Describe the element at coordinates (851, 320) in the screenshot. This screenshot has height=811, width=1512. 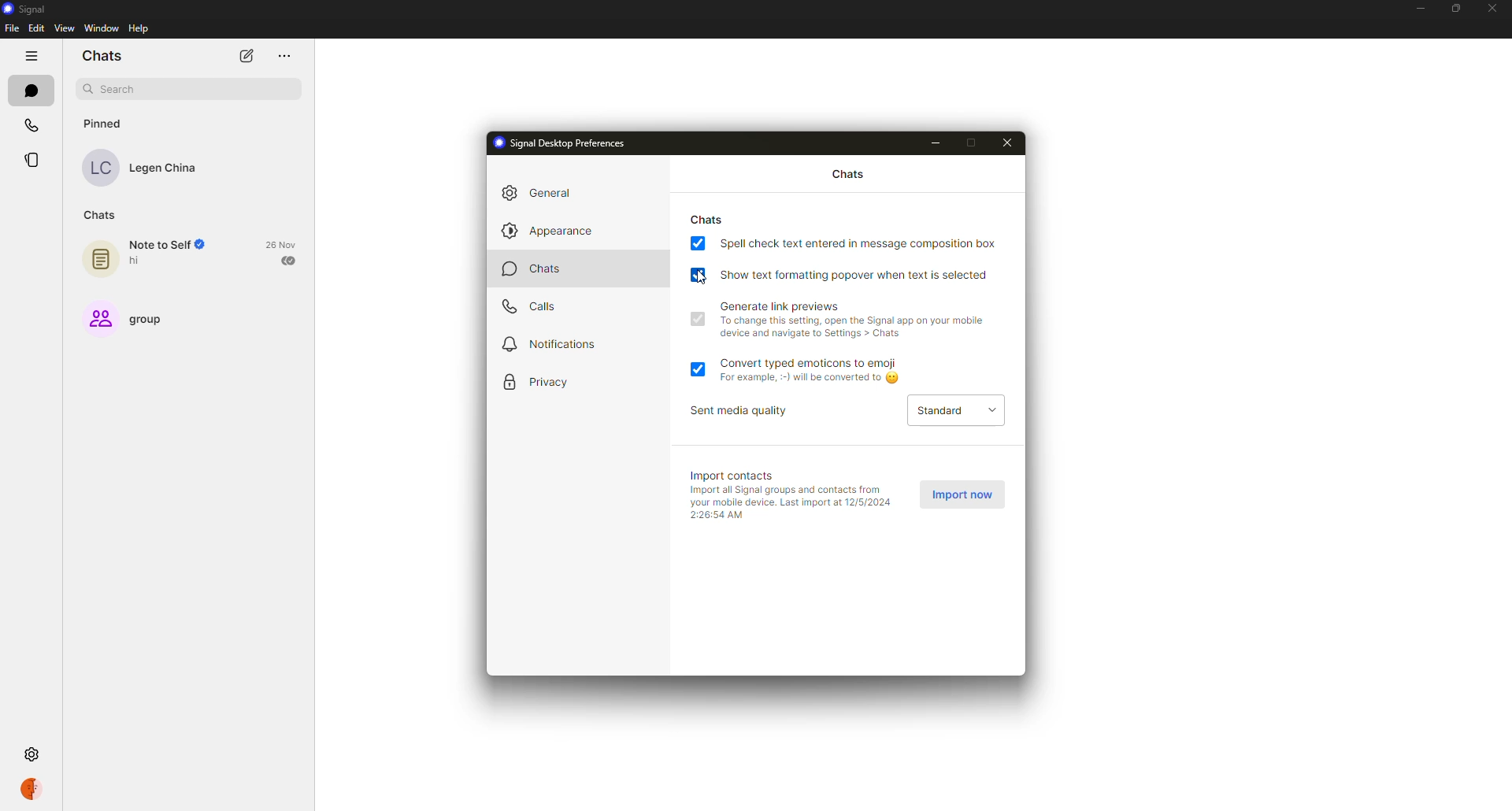
I see `Generate link previews
Fo change this setting, open the Signal app on your mobile
fevice and navigate to Settings > Chats` at that location.